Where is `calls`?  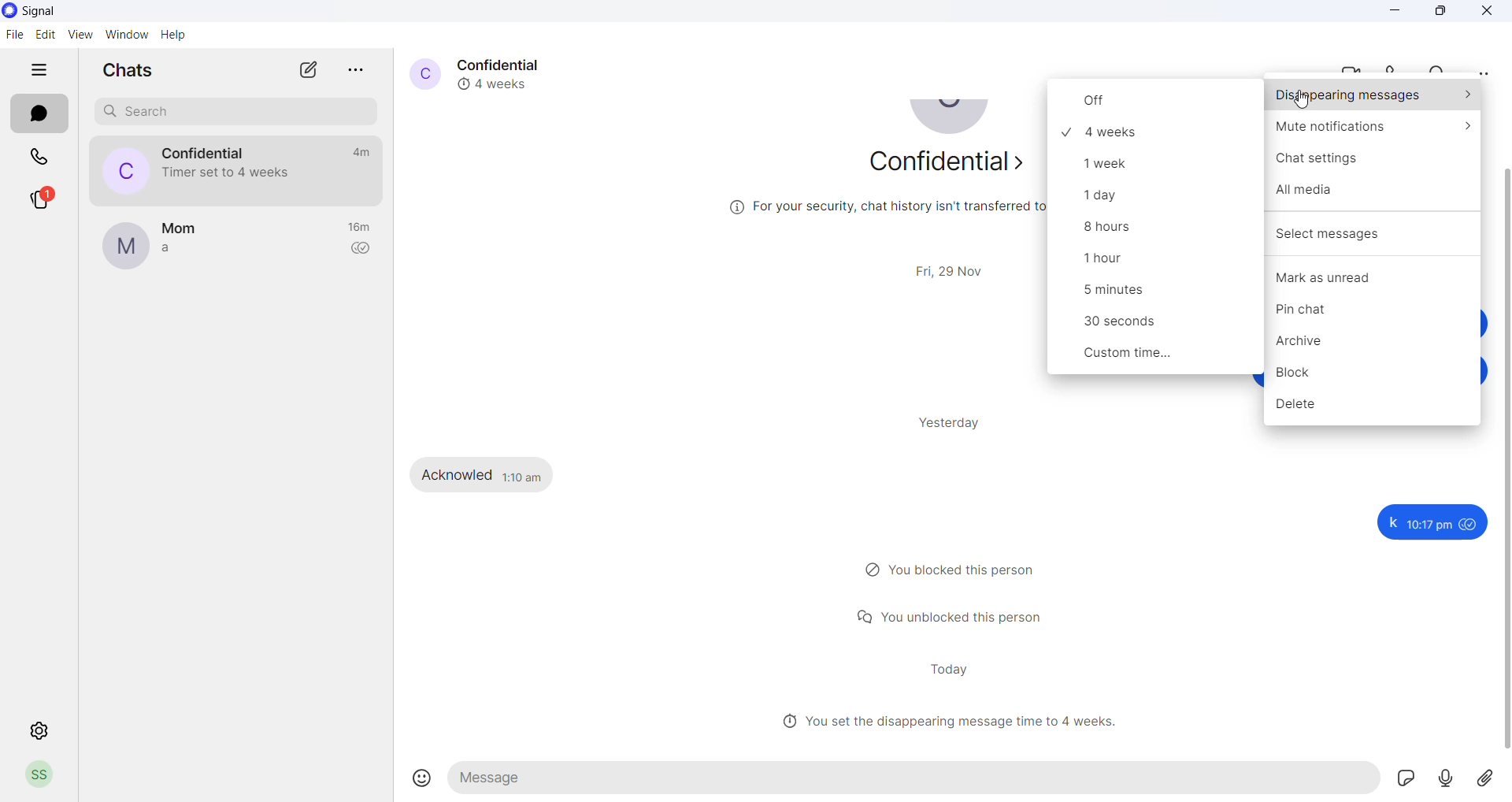
calls is located at coordinates (1400, 66).